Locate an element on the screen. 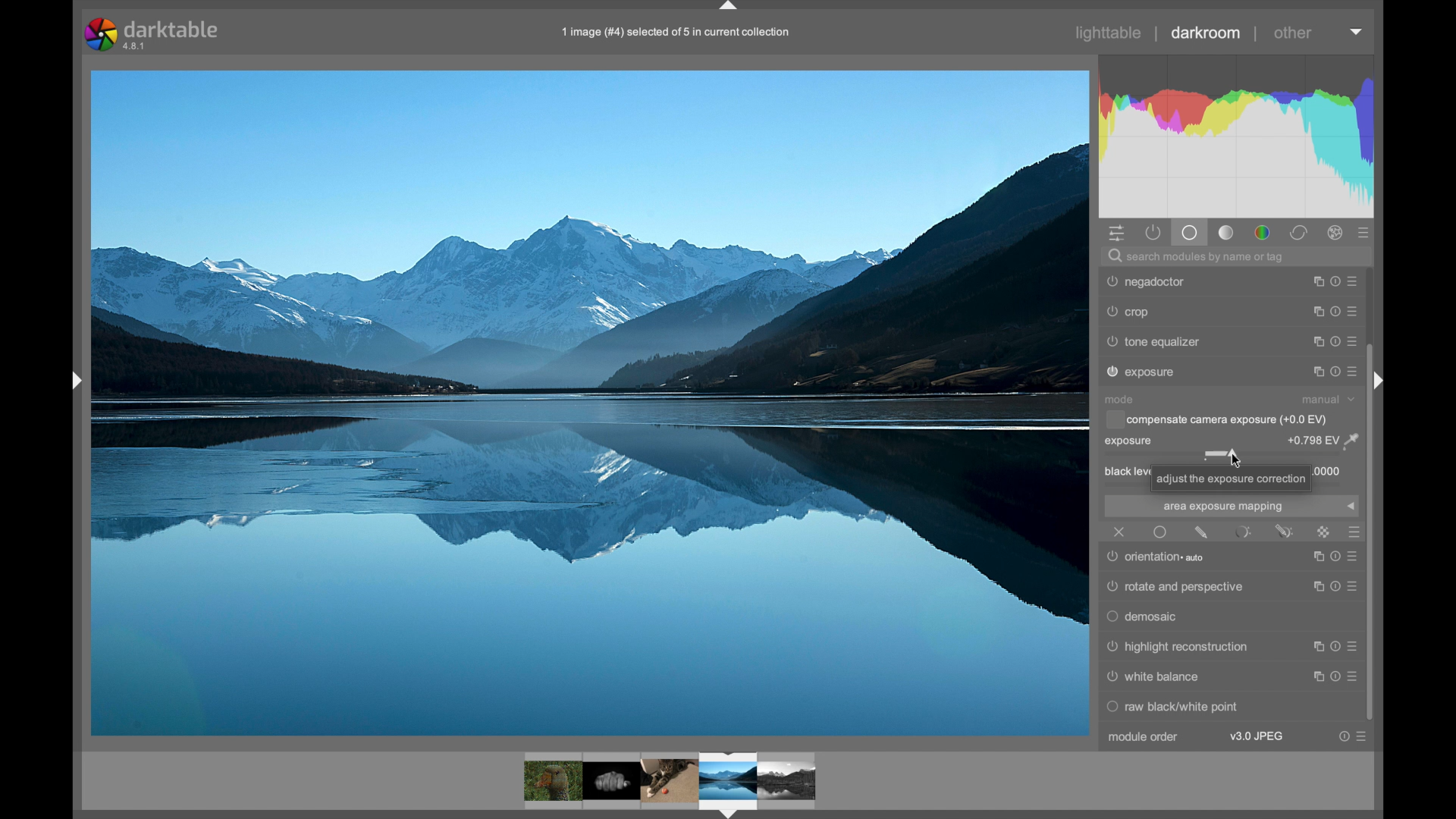 The image size is (1456, 819). O highlight reconstruction is located at coordinates (1177, 648).